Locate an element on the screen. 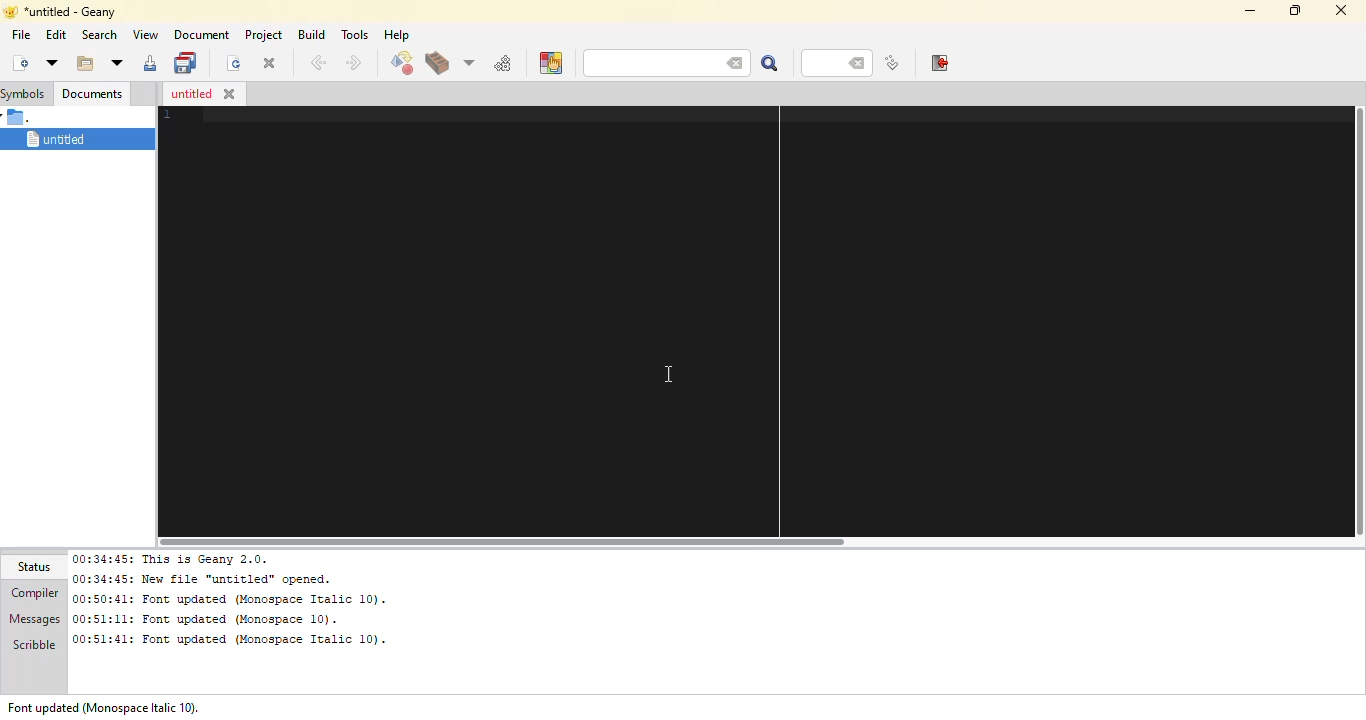  maximize is located at coordinates (1293, 9).